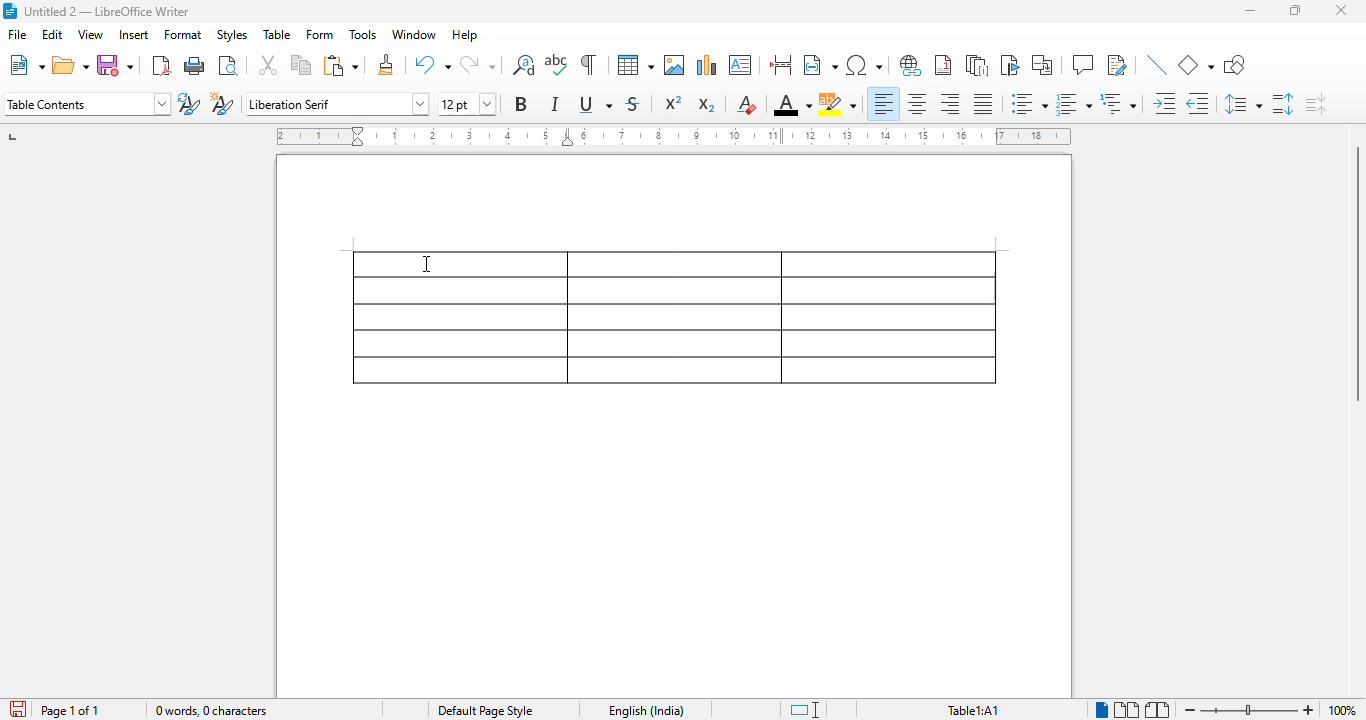  I want to click on font size, so click(468, 104).